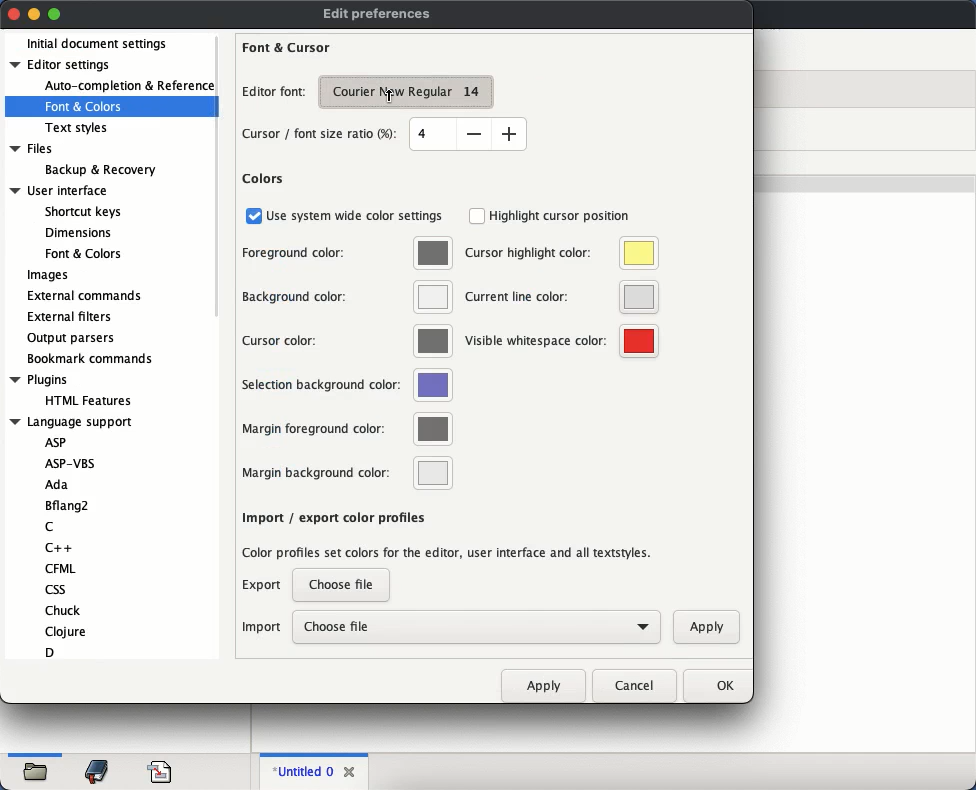  I want to click on margin foreground color, so click(344, 428).